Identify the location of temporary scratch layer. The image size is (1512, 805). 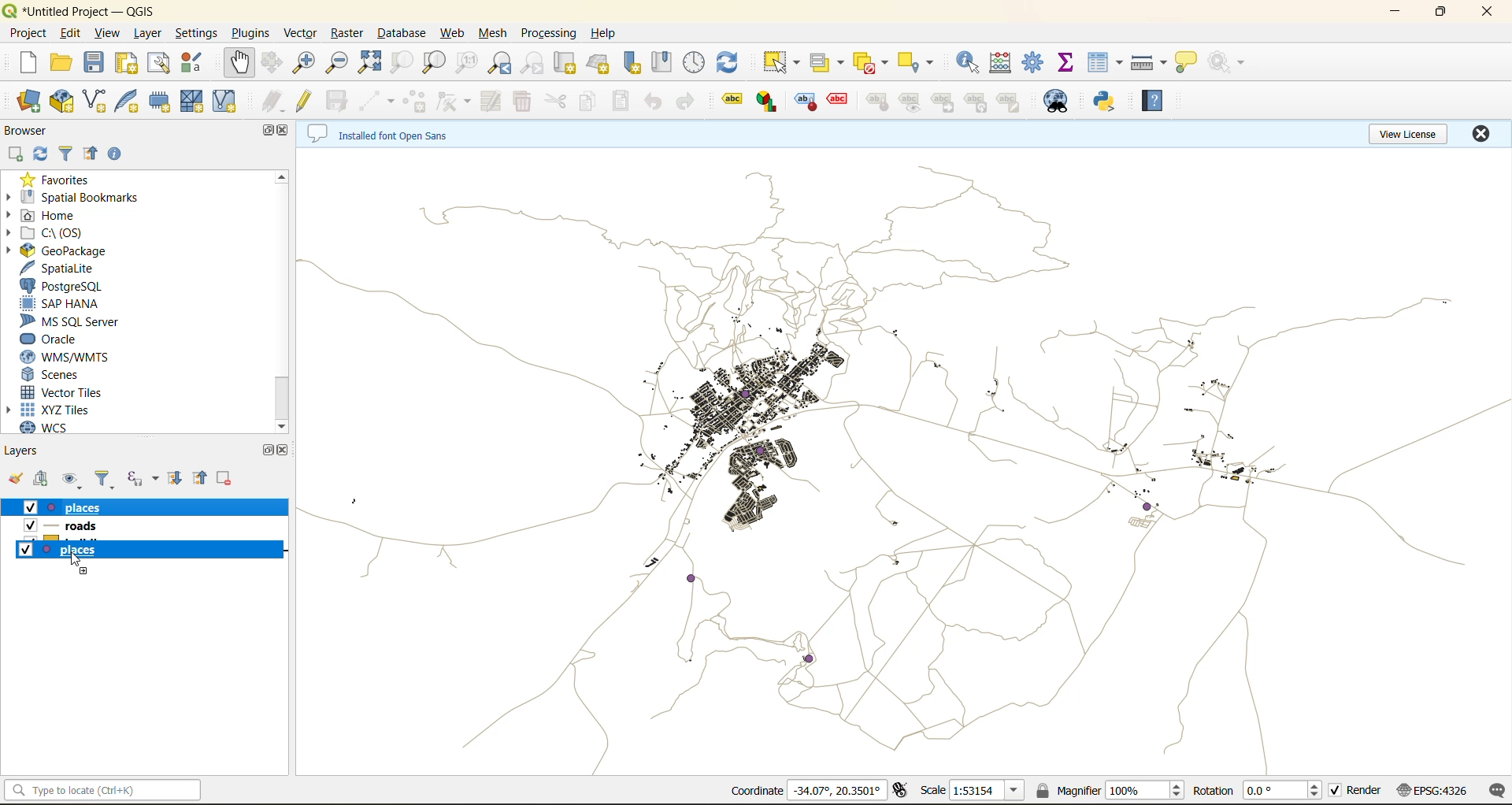
(163, 103).